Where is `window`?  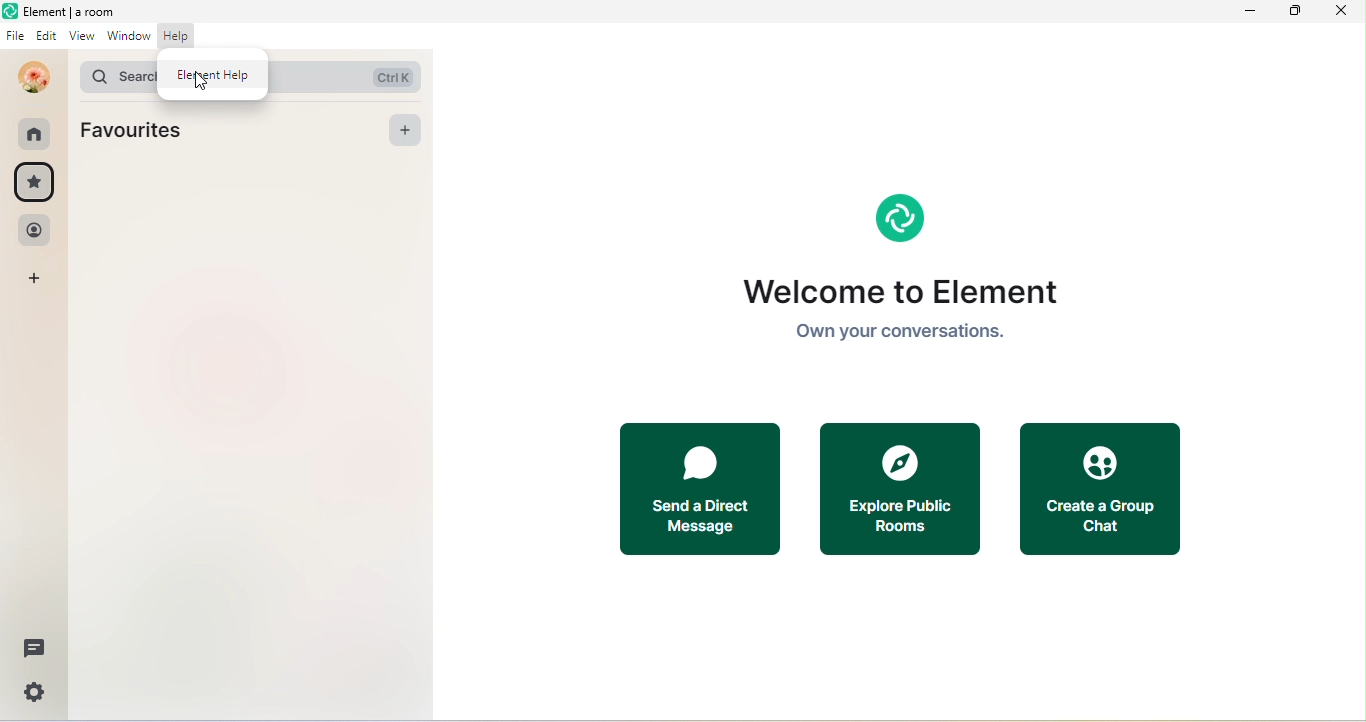 window is located at coordinates (131, 38).